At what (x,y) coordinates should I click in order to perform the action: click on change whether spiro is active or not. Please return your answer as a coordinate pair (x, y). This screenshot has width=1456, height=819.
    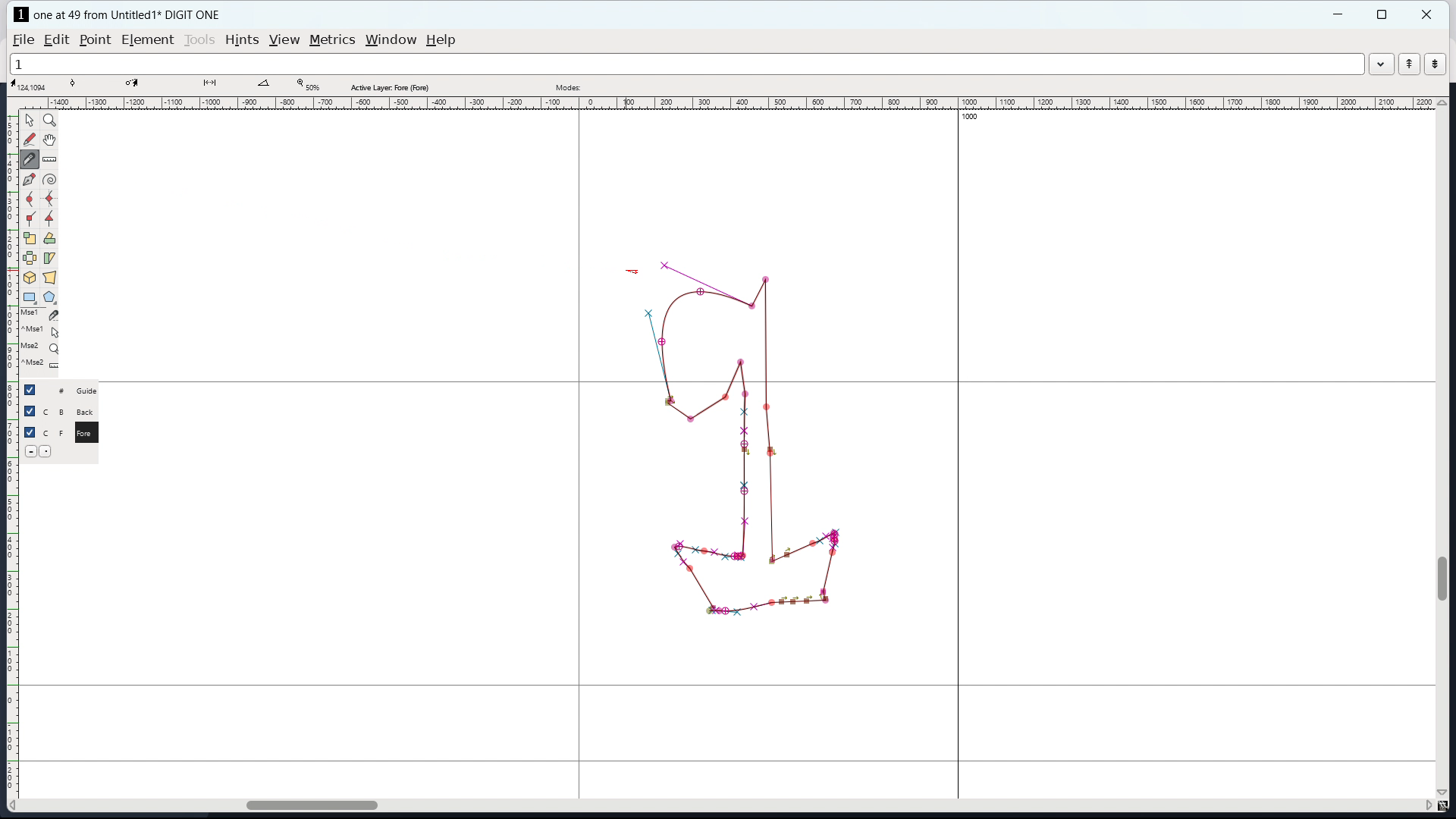
    Looking at the image, I should click on (49, 180).